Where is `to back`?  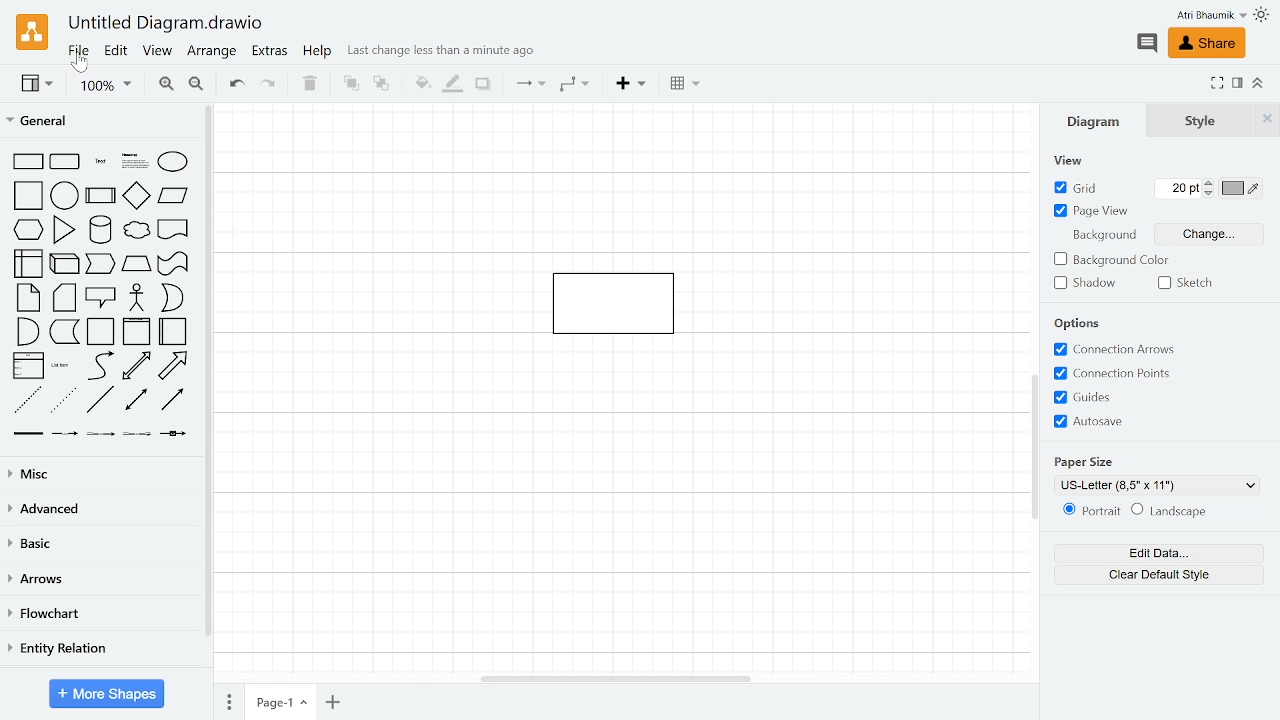
to back is located at coordinates (381, 86).